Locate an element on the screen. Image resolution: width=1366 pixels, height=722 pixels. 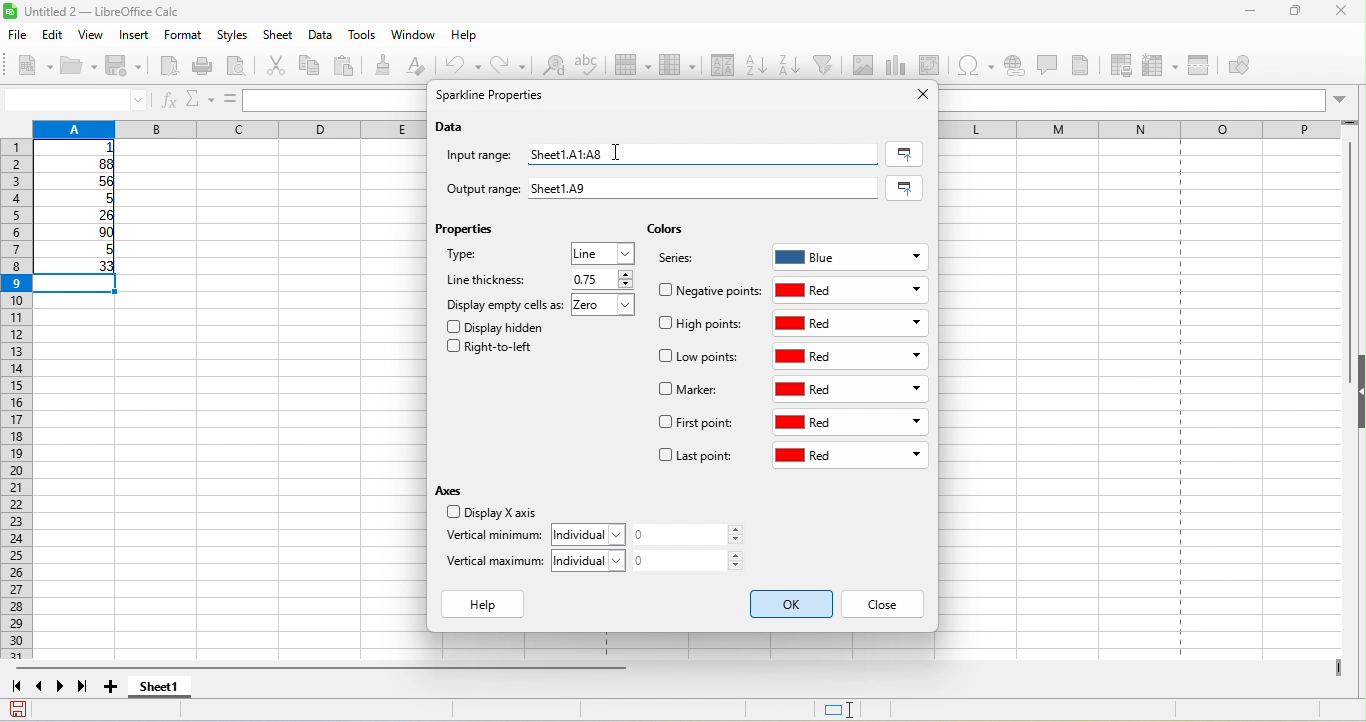
90 is located at coordinates (78, 234).